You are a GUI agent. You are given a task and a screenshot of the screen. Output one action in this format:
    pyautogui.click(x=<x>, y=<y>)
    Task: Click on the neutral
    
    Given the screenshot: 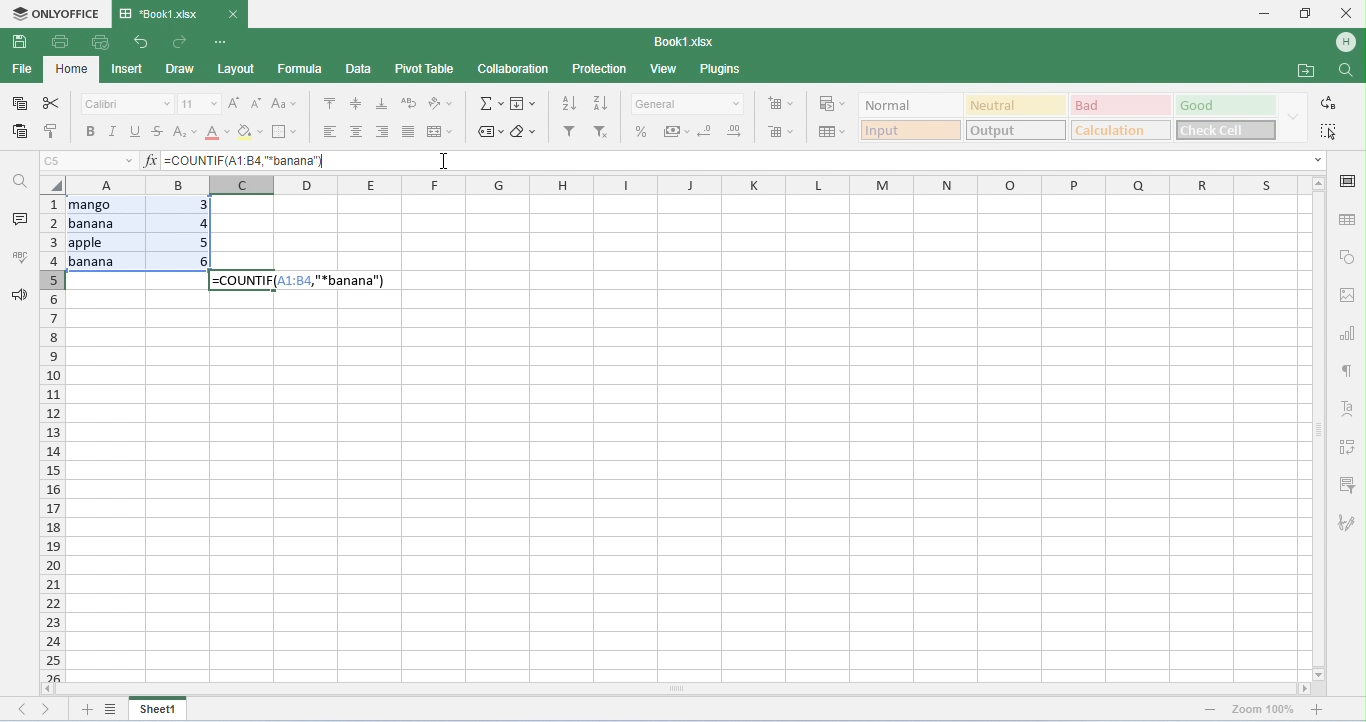 What is the action you would take?
    pyautogui.click(x=1015, y=105)
    